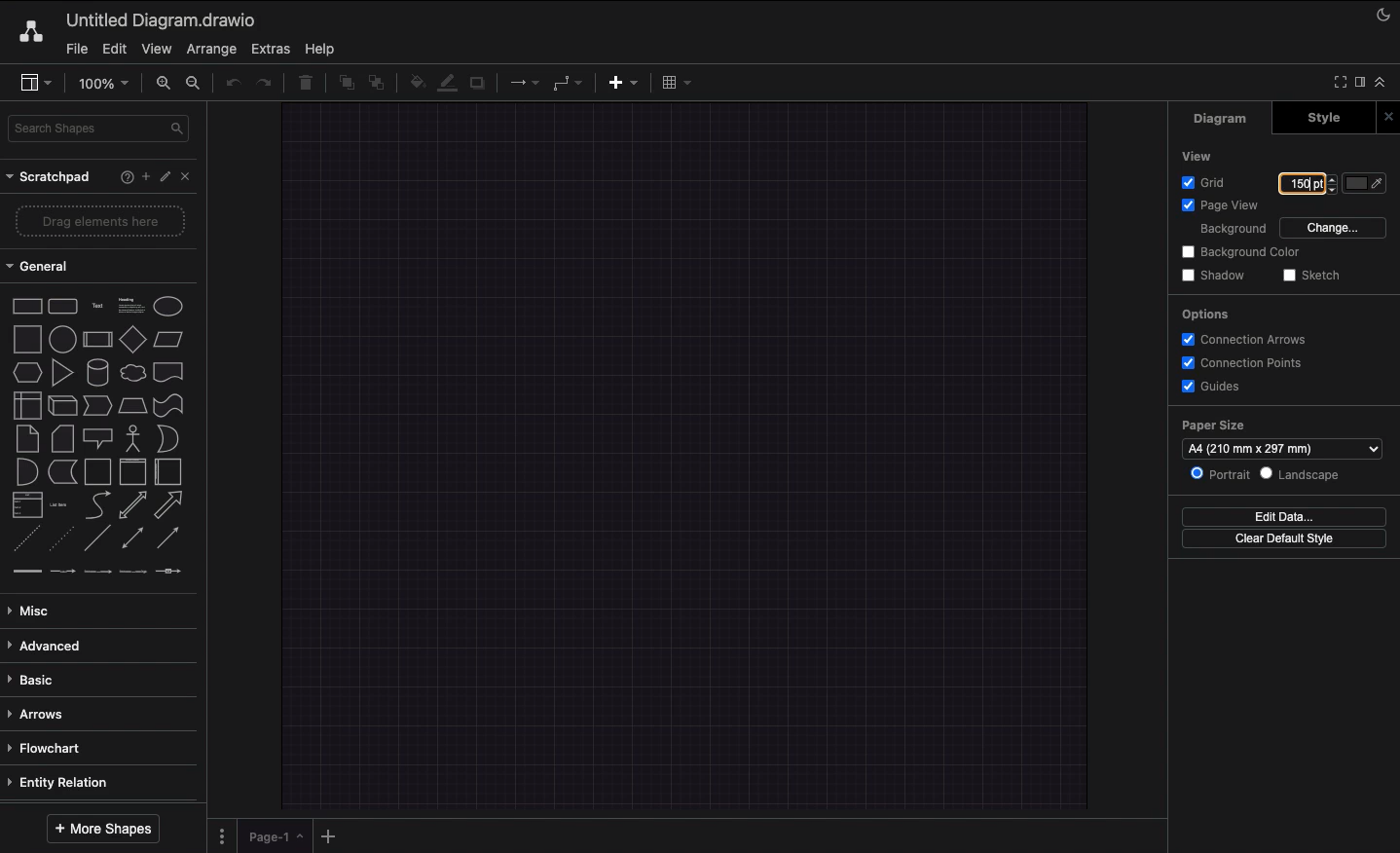  I want to click on Full screen, so click(1339, 81).